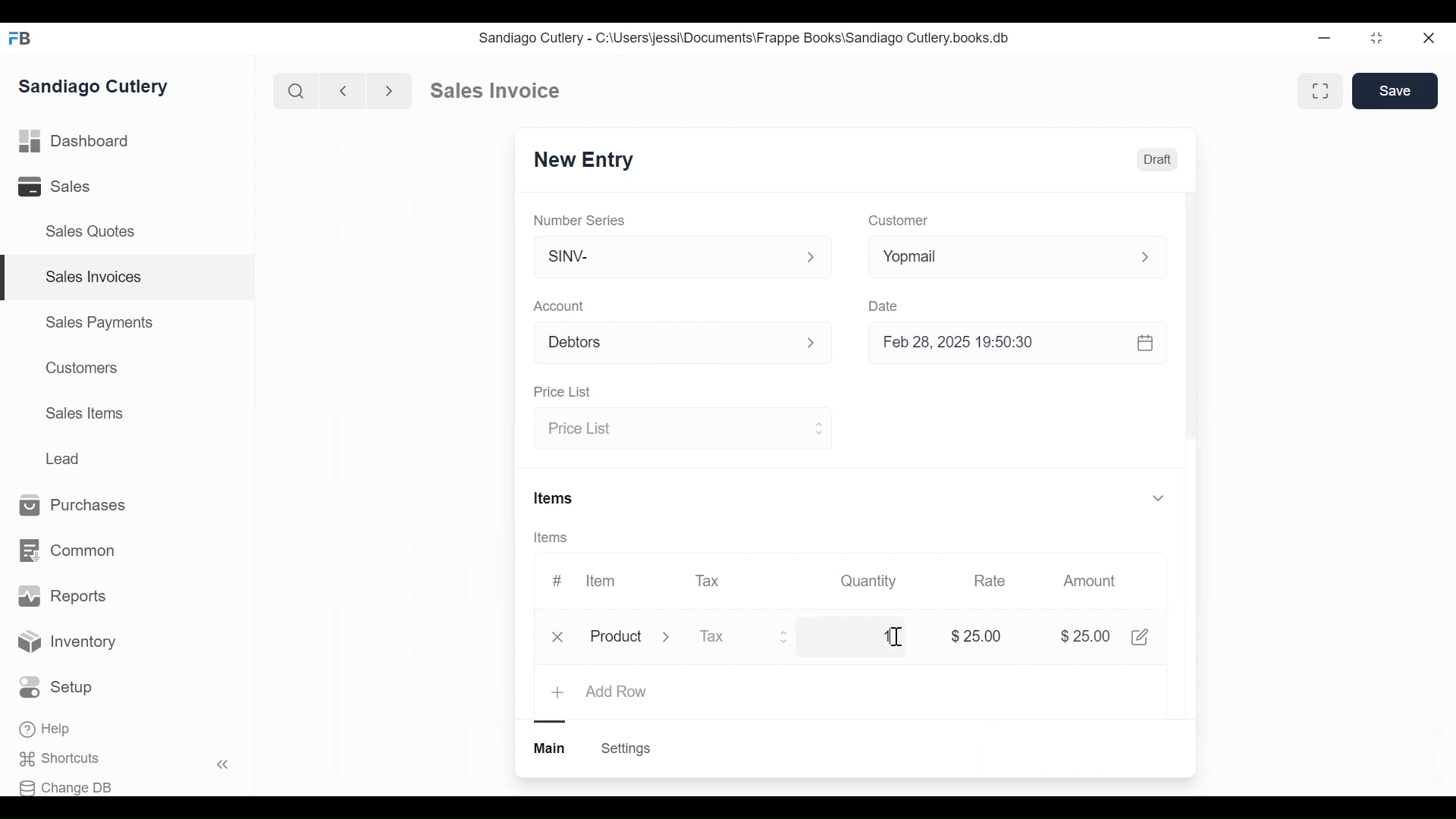 The height and width of the screenshot is (819, 1456). Describe the element at coordinates (96, 232) in the screenshot. I see `Sales Quotes` at that location.